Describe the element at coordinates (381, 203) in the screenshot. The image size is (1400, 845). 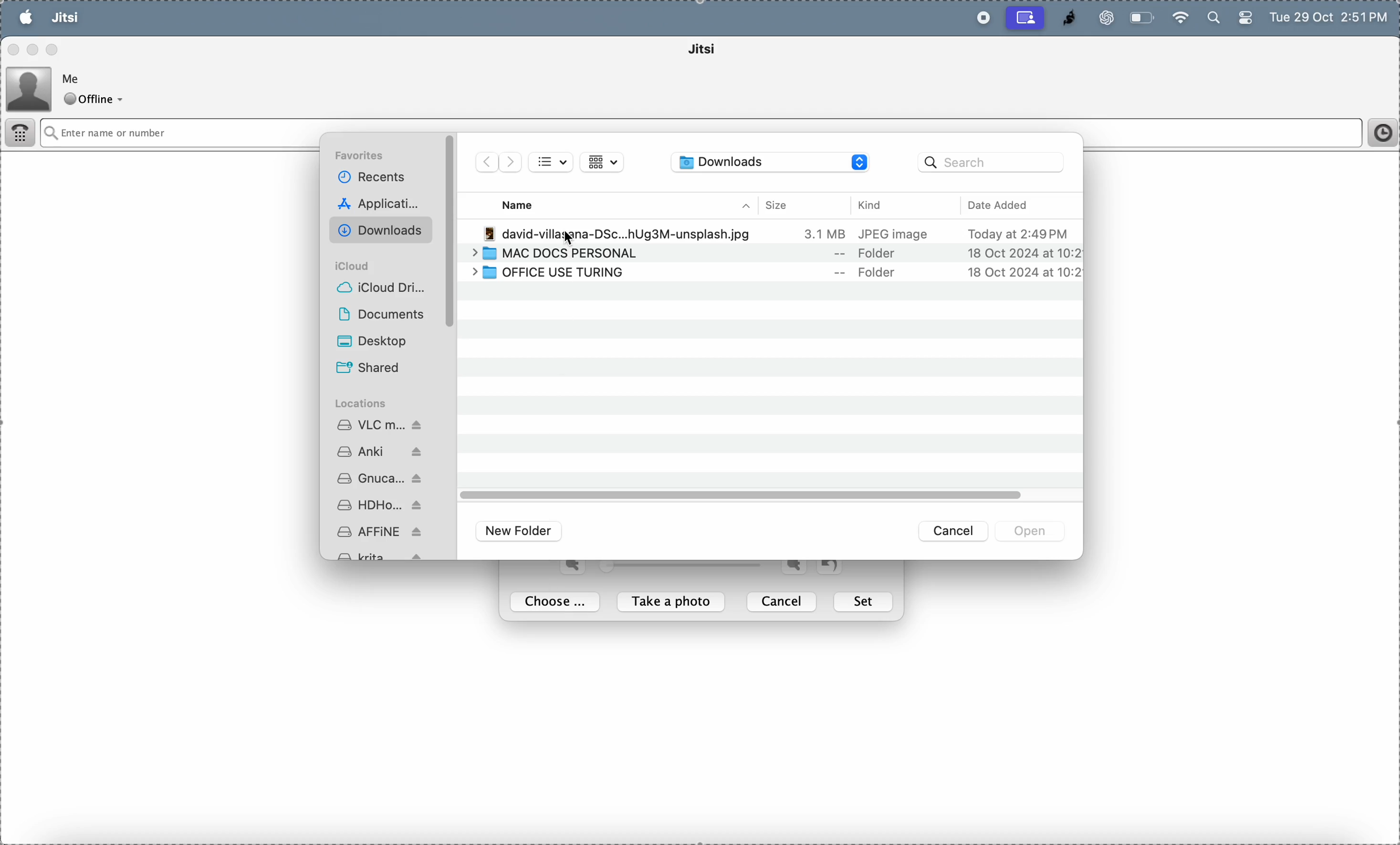
I see `applications` at that location.